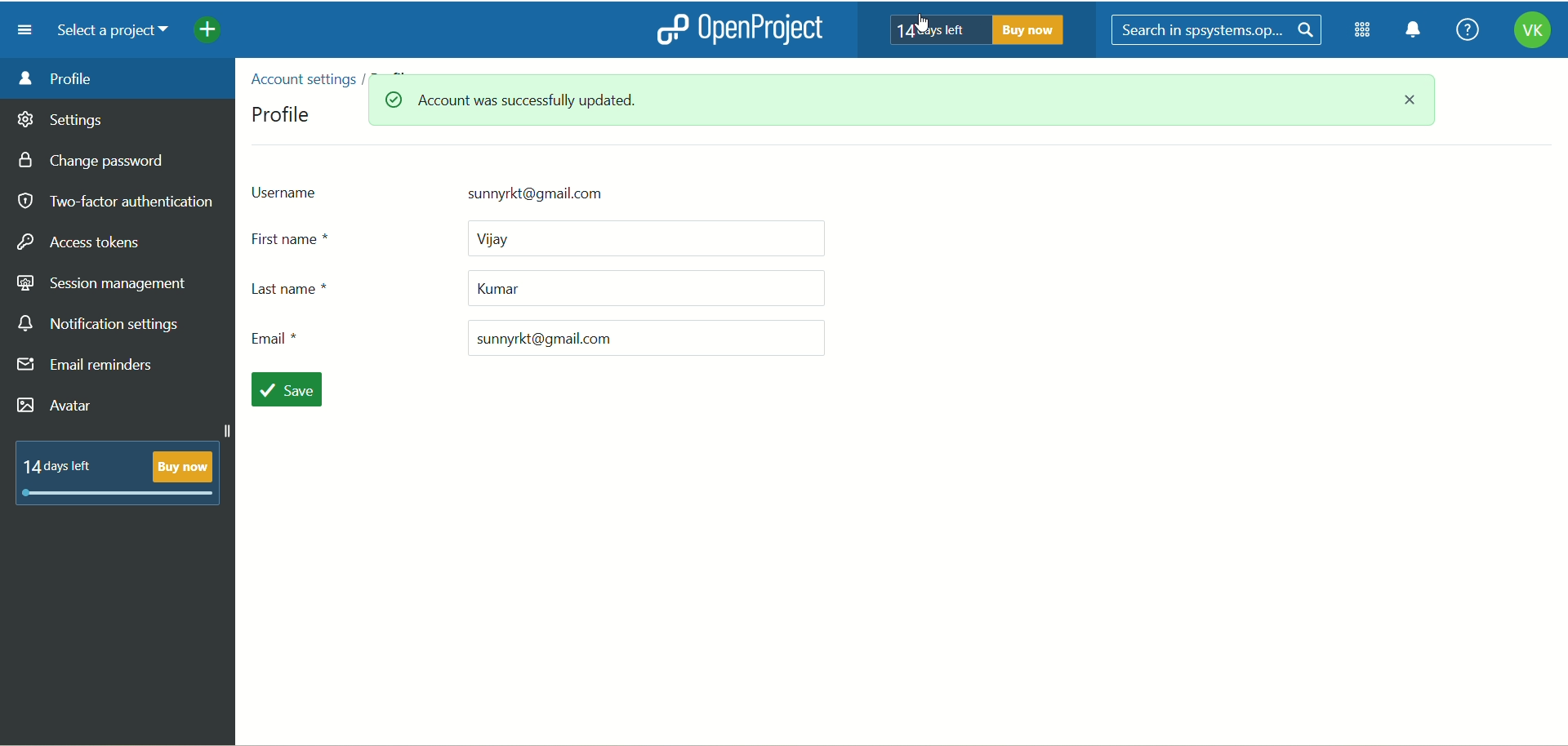 The height and width of the screenshot is (746, 1568). I want to click on text, so click(118, 472).